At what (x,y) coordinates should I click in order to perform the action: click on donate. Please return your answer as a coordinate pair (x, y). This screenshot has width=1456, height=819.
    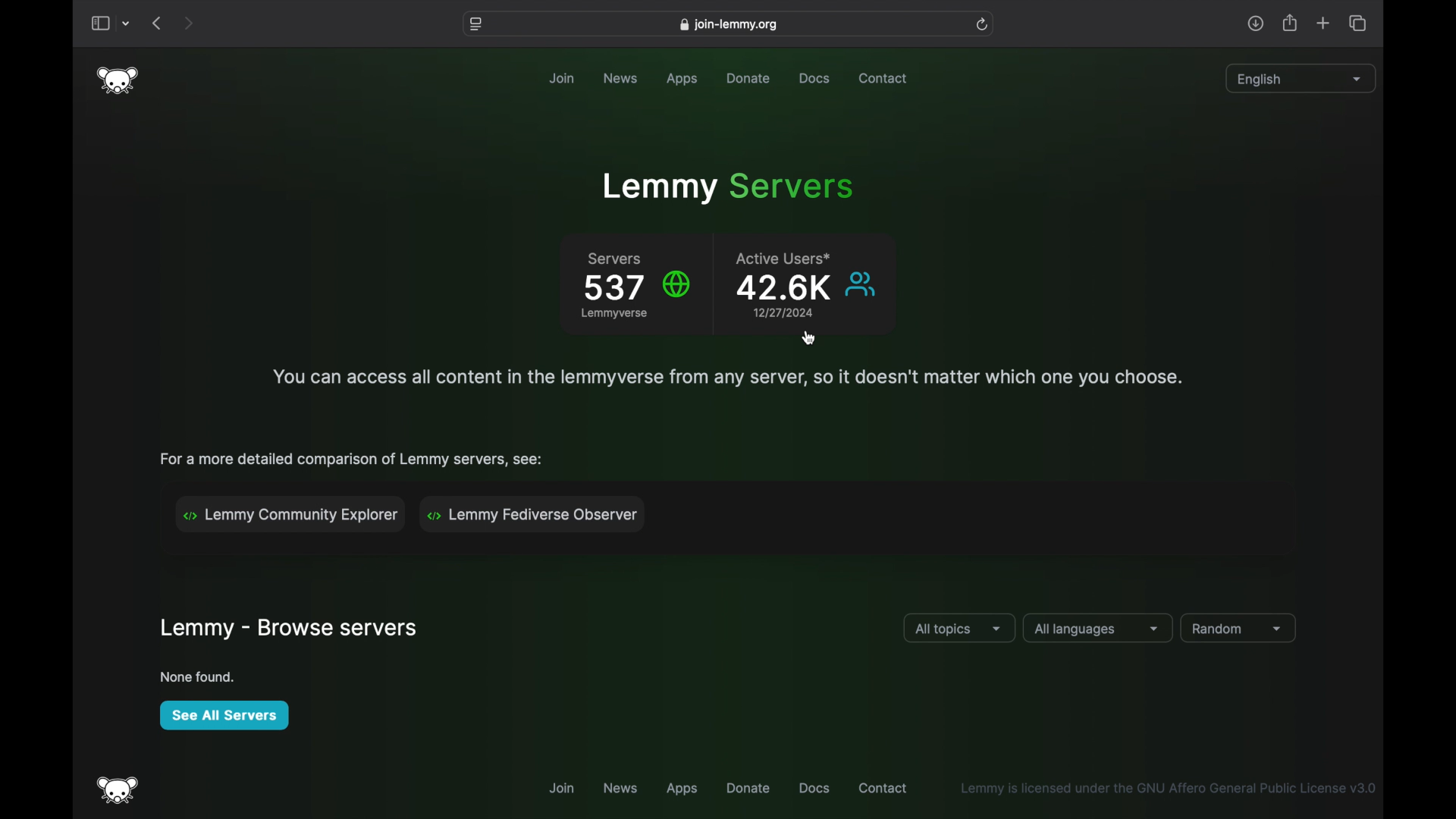
    Looking at the image, I should click on (749, 78).